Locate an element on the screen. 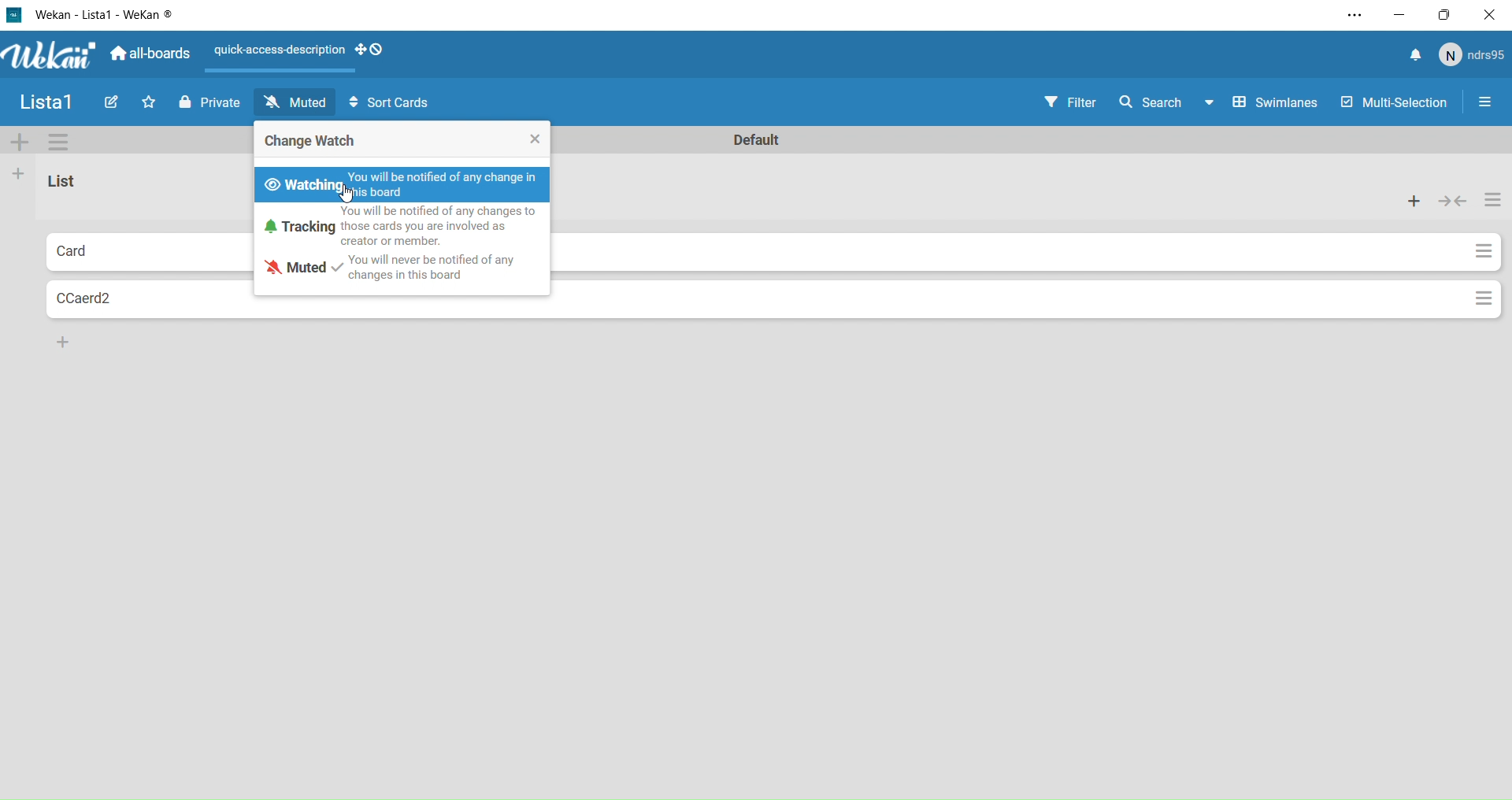  Card is located at coordinates (140, 250).